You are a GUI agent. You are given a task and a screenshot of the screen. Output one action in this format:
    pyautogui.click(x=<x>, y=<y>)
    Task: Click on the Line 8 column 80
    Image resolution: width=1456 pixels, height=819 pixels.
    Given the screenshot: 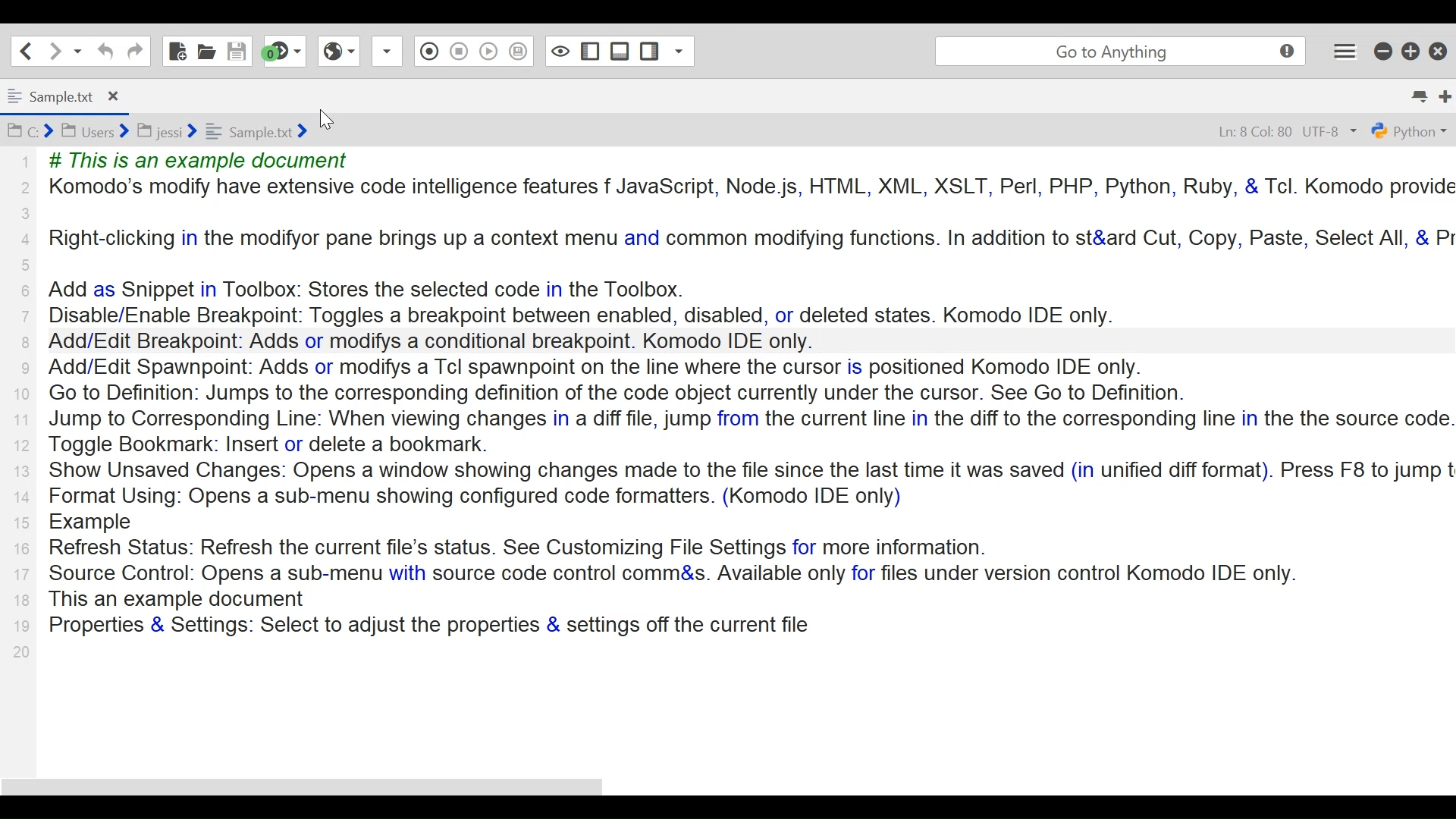 What is the action you would take?
    pyautogui.click(x=1254, y=130)
    